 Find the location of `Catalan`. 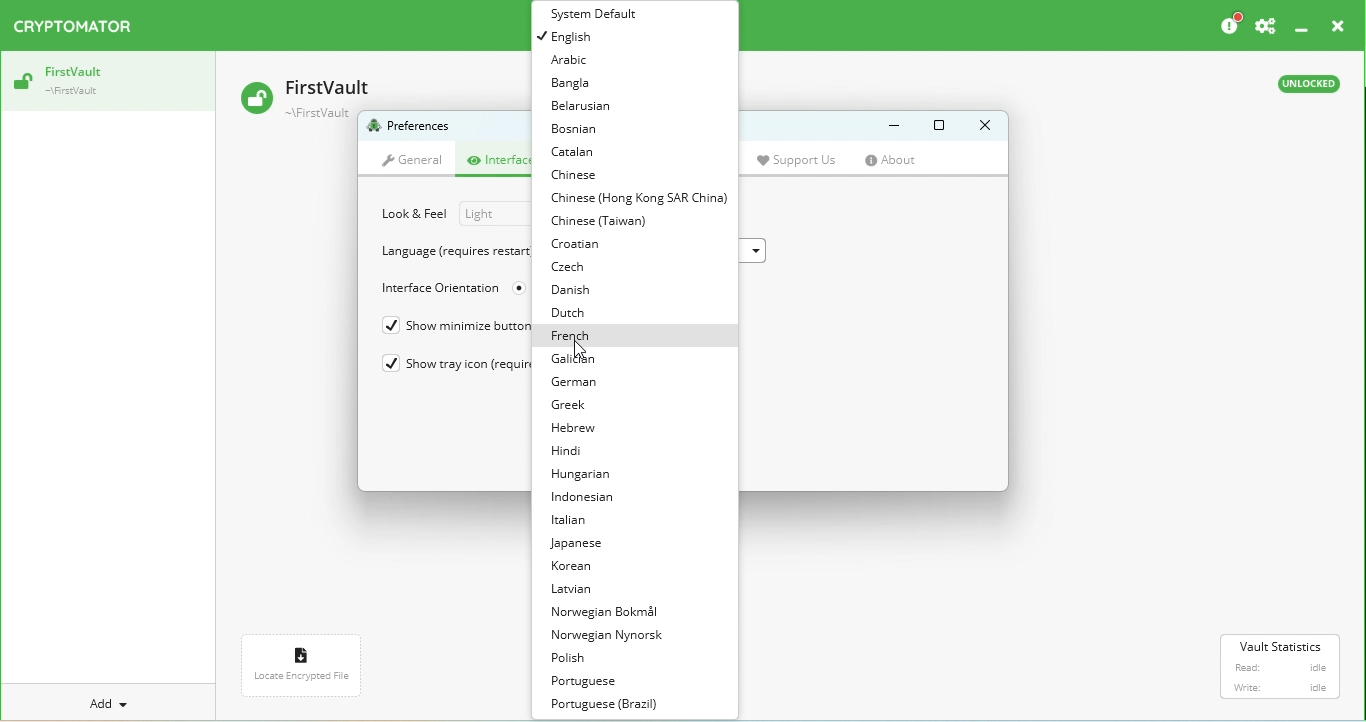

Catalan is located at coordinates (579, 155).